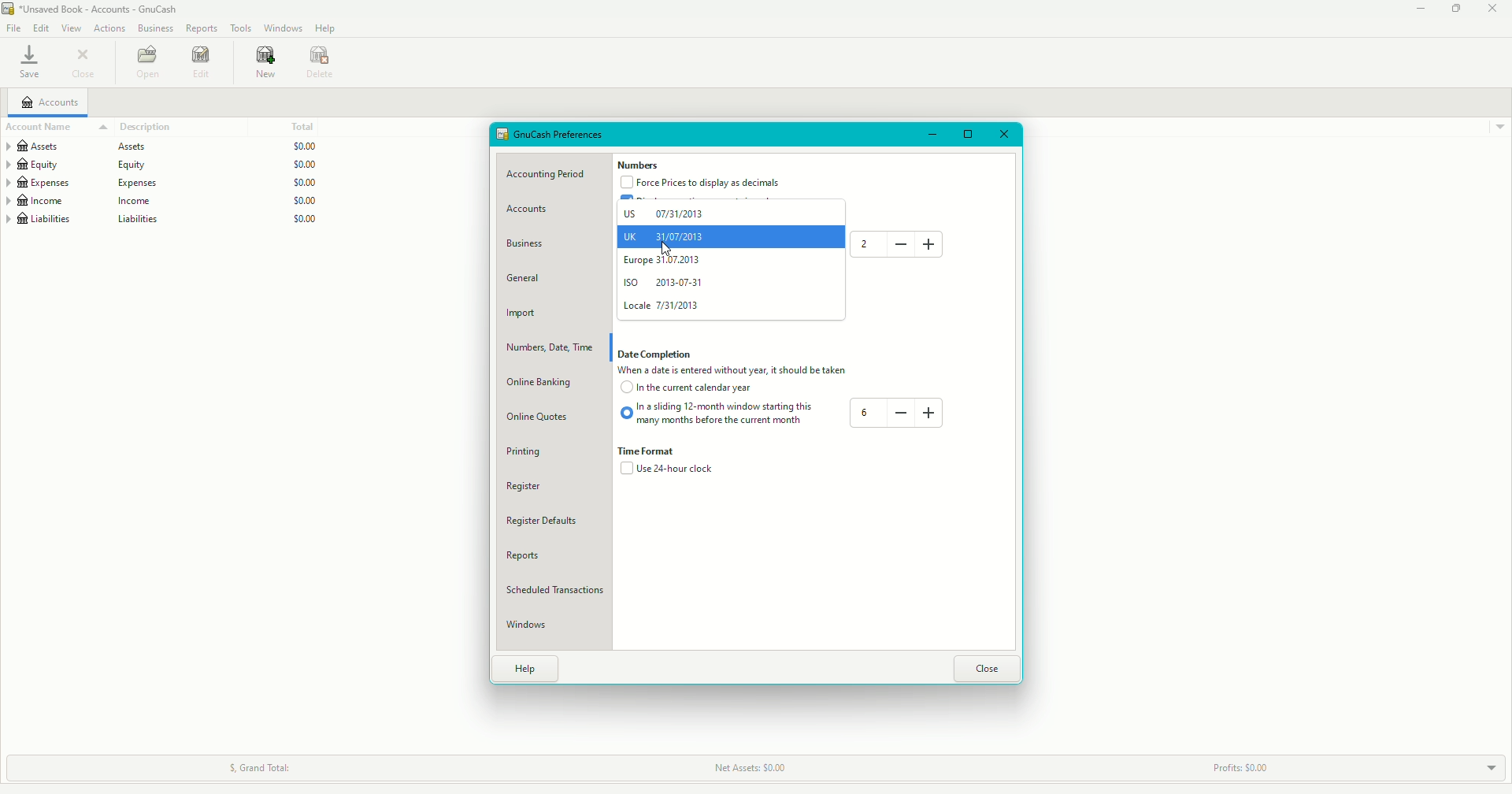 This screenshot has height=794, width=1512. Describe the element at coordinates (202, 28) in the screenshot. I see `Reports` at that location.